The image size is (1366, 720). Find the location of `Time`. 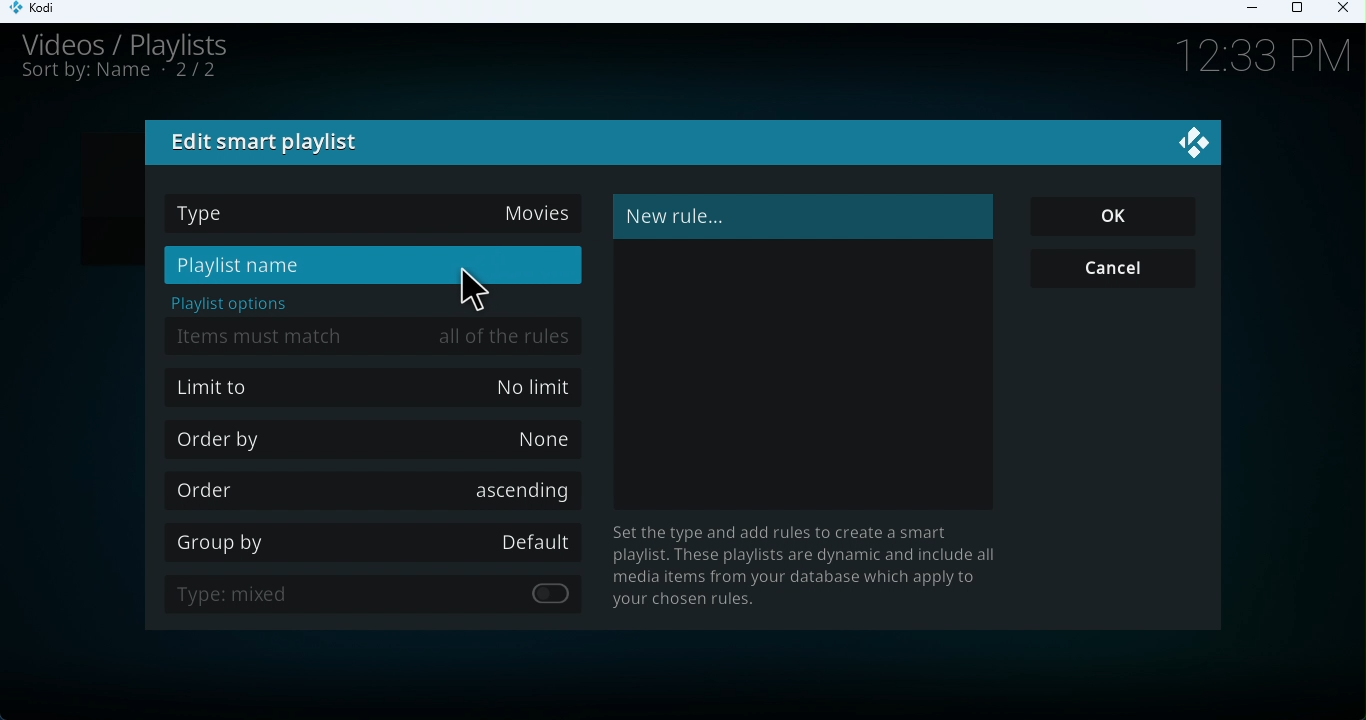

Time is located at coordinates (1252, 58).